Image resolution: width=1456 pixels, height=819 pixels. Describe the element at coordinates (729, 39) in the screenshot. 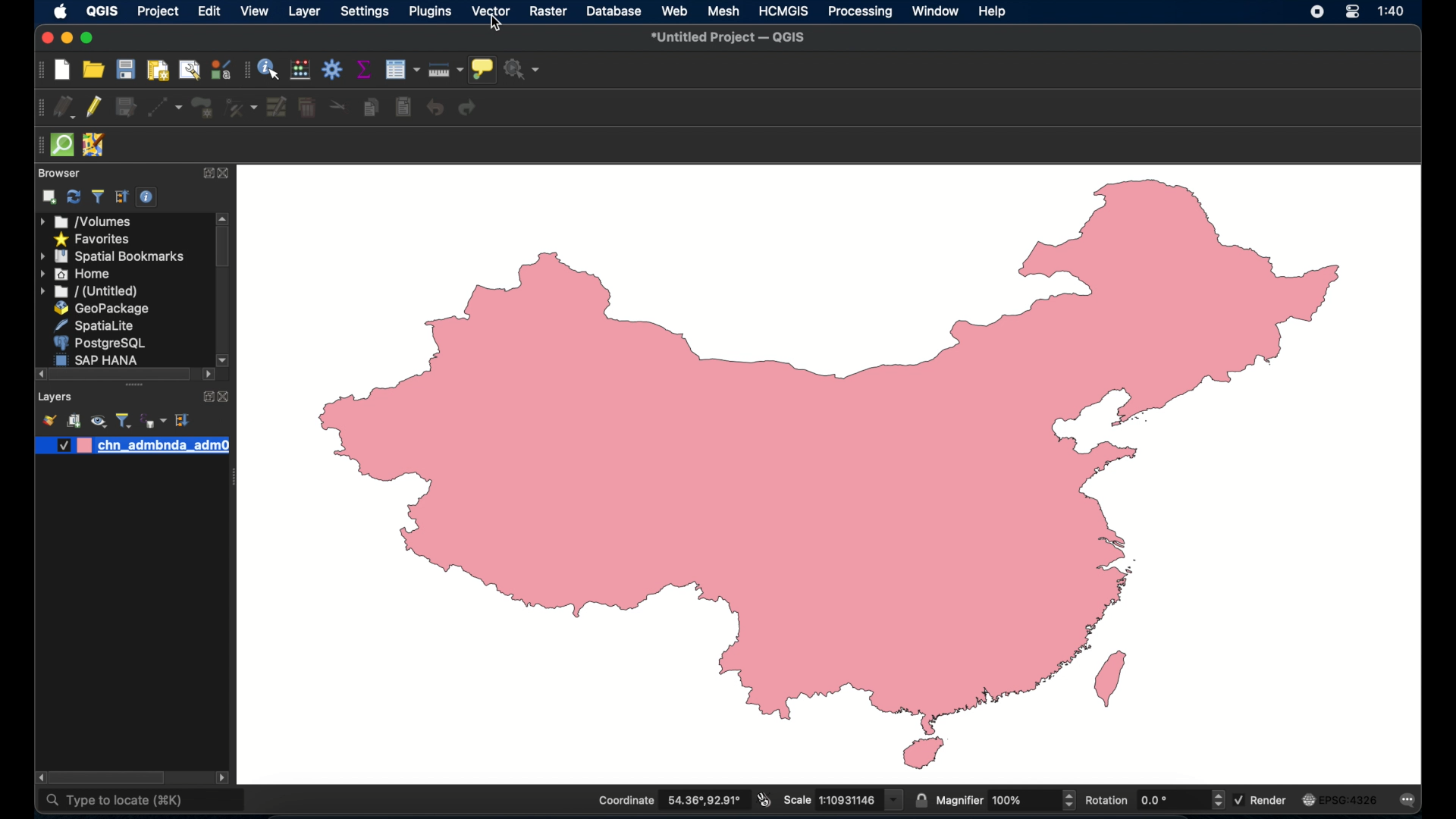

I see `untitled project - QGIS` at that location.